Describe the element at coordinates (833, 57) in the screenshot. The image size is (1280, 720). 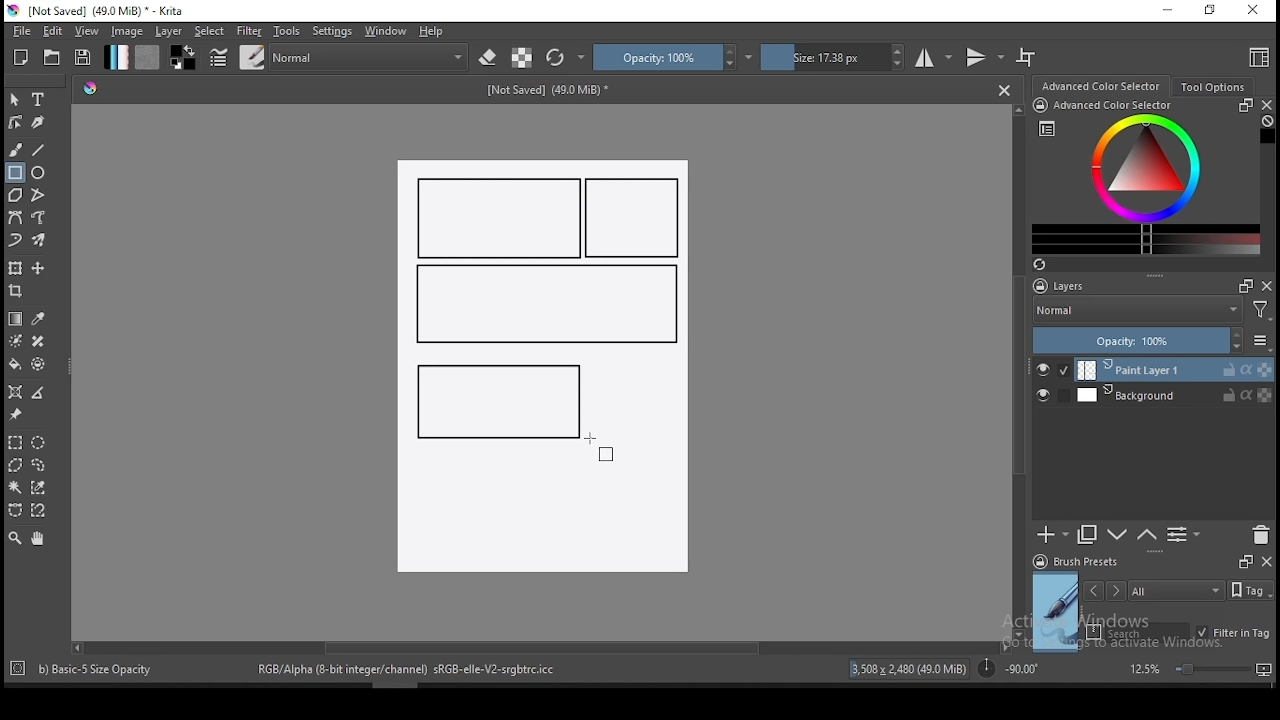
I see `size` at that location.